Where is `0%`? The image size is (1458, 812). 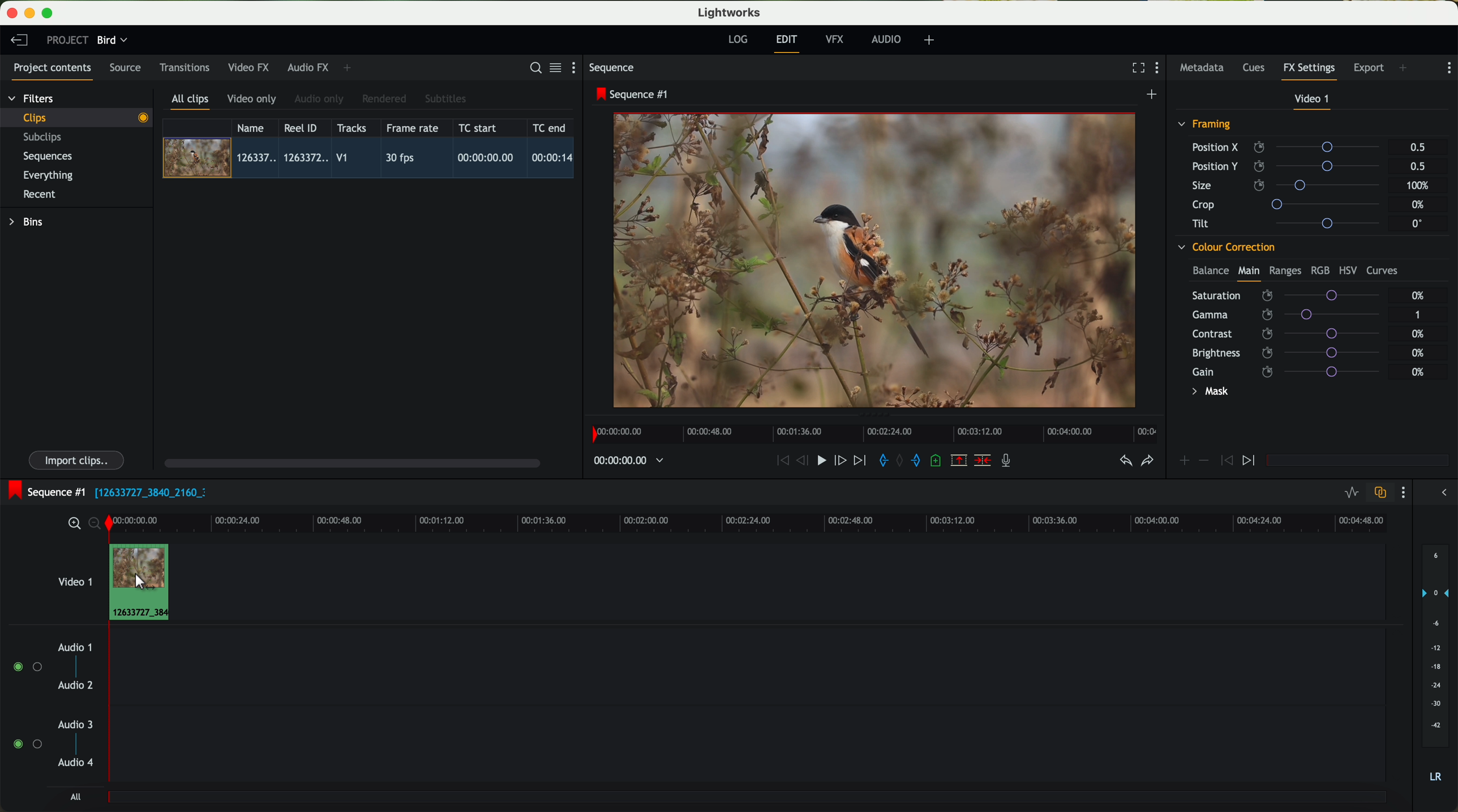 0% is located at coordinates (1418, 295).